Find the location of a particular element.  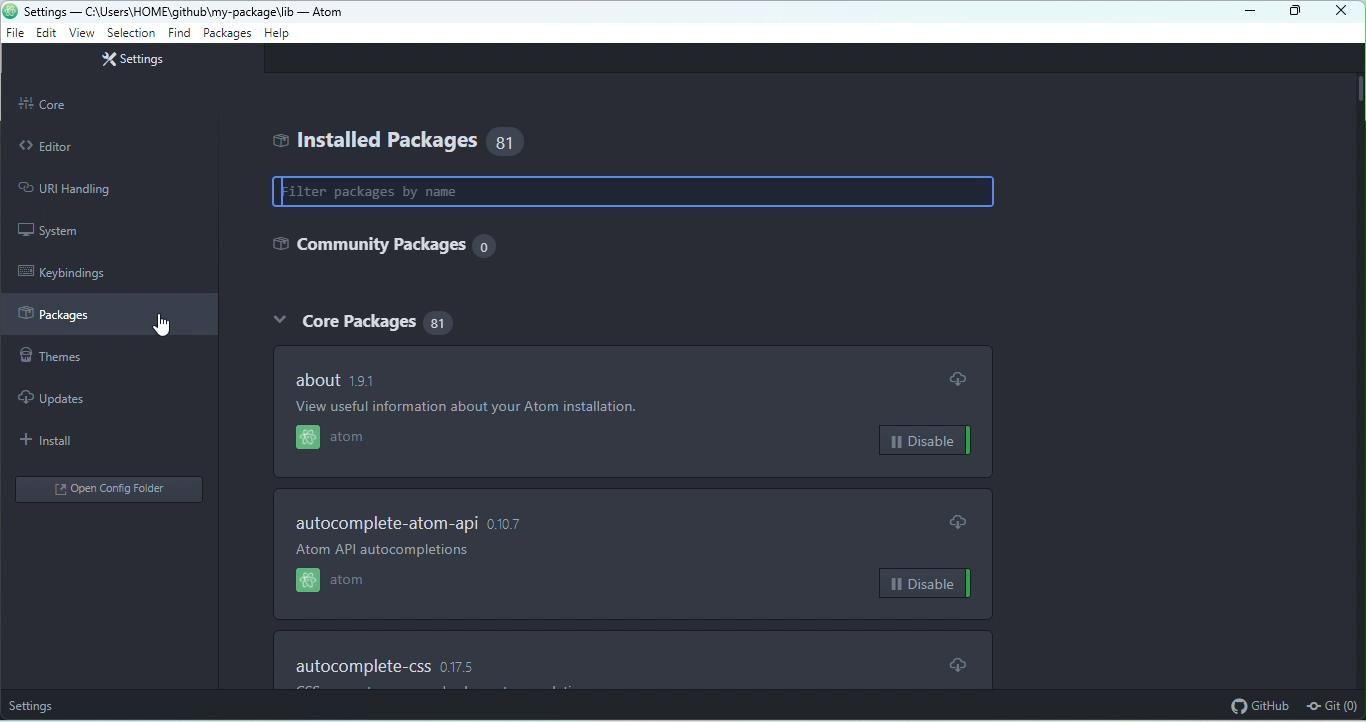

close is located at coordinates (1340, 12).